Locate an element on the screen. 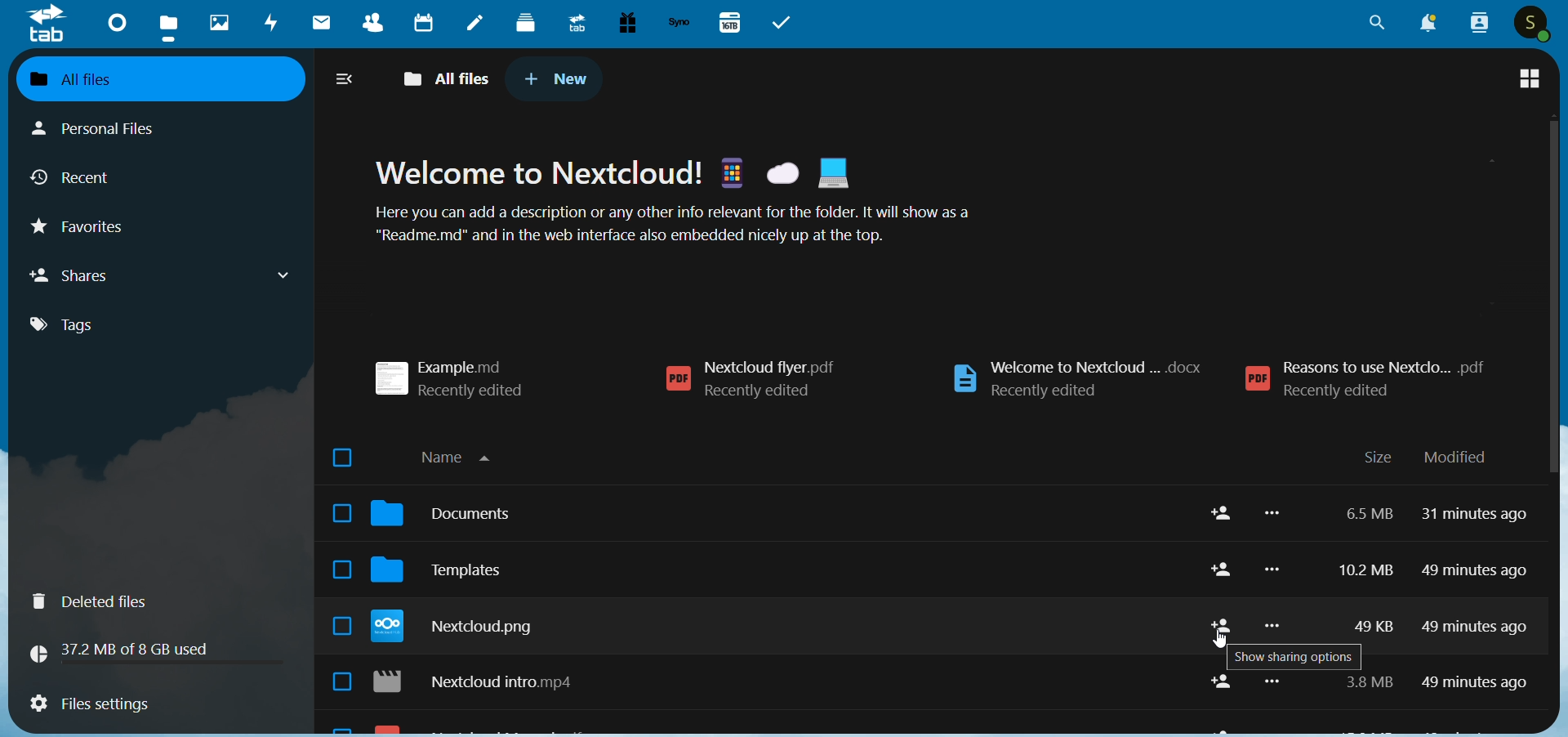  modified is located at coordinates (1460, 455).